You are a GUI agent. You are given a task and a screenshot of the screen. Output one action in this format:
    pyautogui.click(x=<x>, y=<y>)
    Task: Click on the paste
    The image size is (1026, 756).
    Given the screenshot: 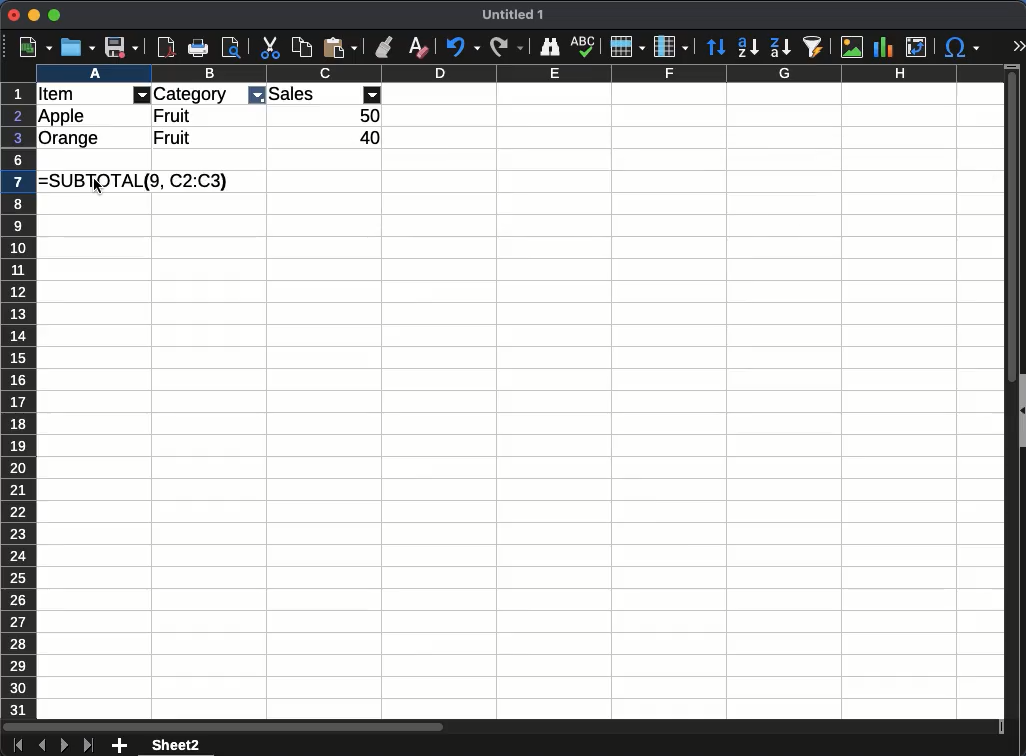 What is the action you would take?
    pyautogui.click(x=340, y=48)
    